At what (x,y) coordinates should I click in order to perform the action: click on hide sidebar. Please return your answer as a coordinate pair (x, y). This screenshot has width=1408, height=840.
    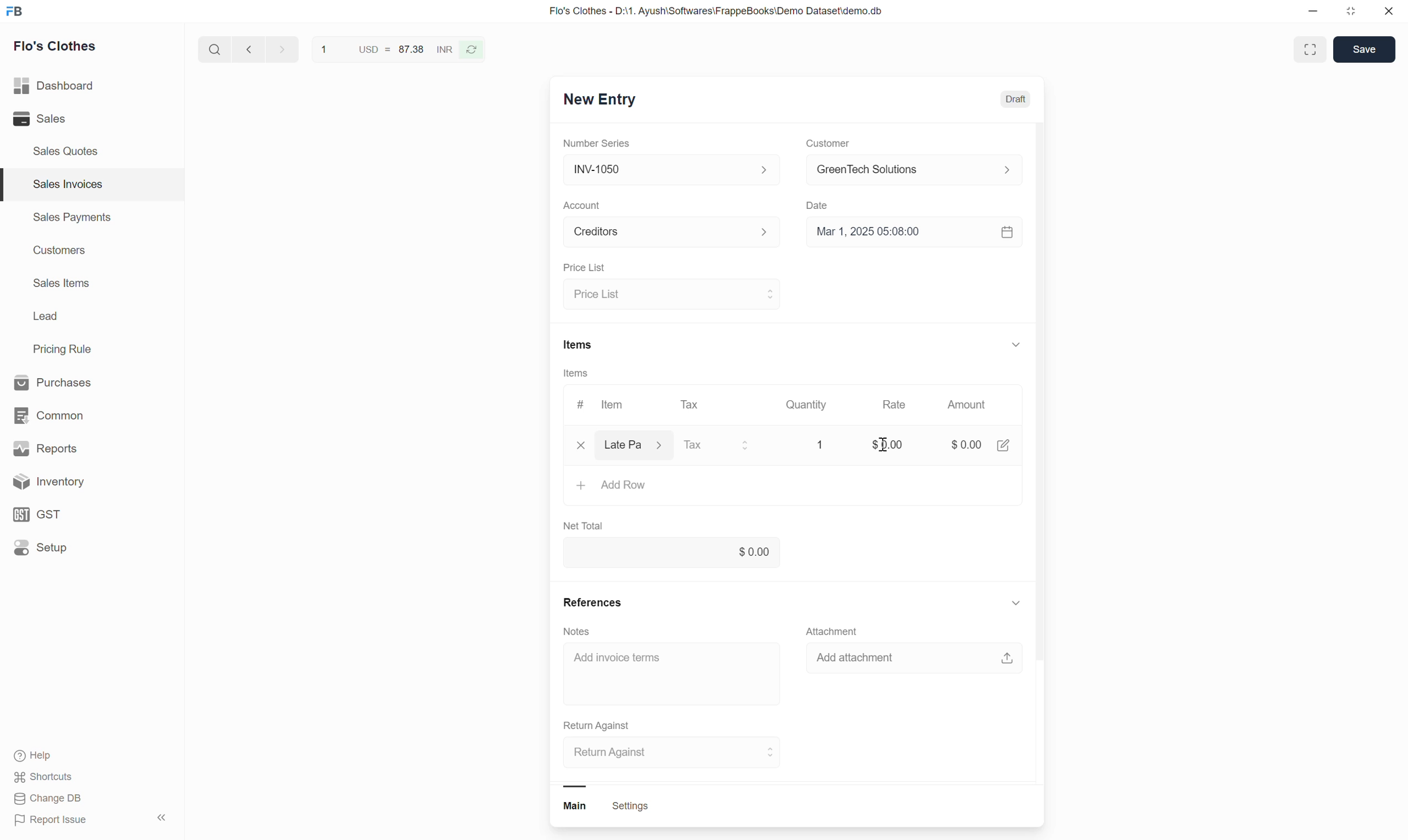
    Looking at the image, I should click on (163, 818).